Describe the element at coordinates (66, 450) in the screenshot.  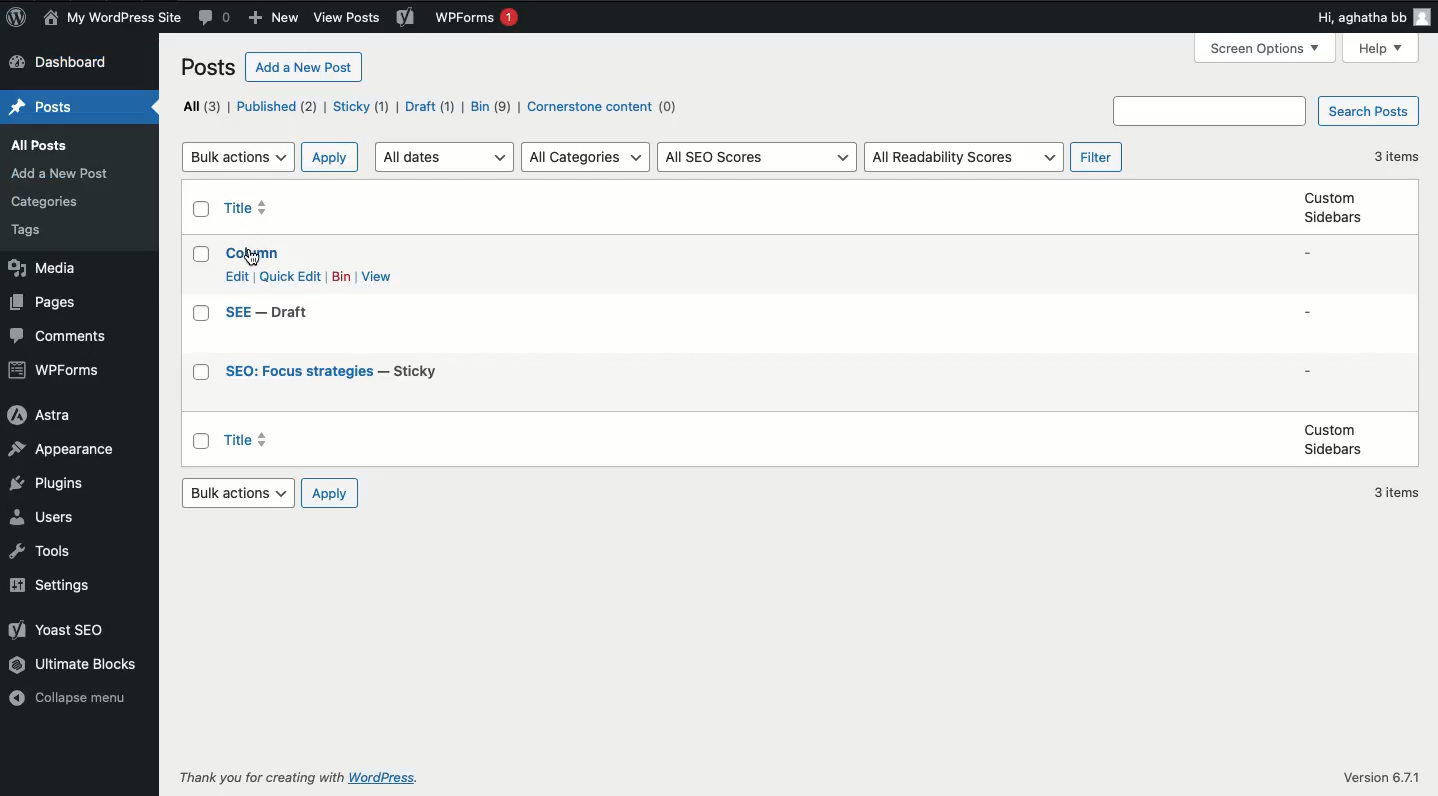
I see `Appearance` at that location.